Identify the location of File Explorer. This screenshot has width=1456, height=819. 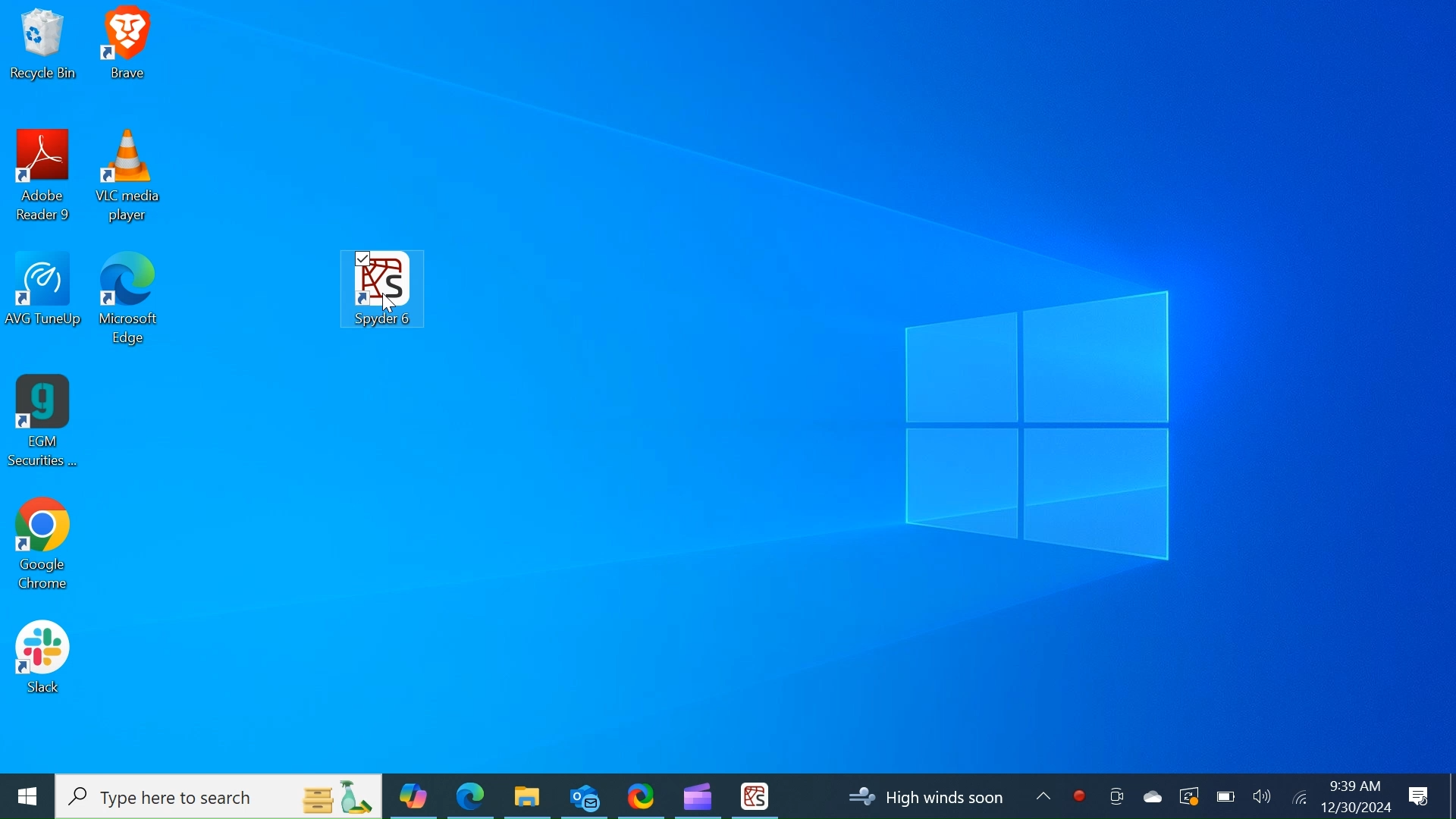
(526, 795).